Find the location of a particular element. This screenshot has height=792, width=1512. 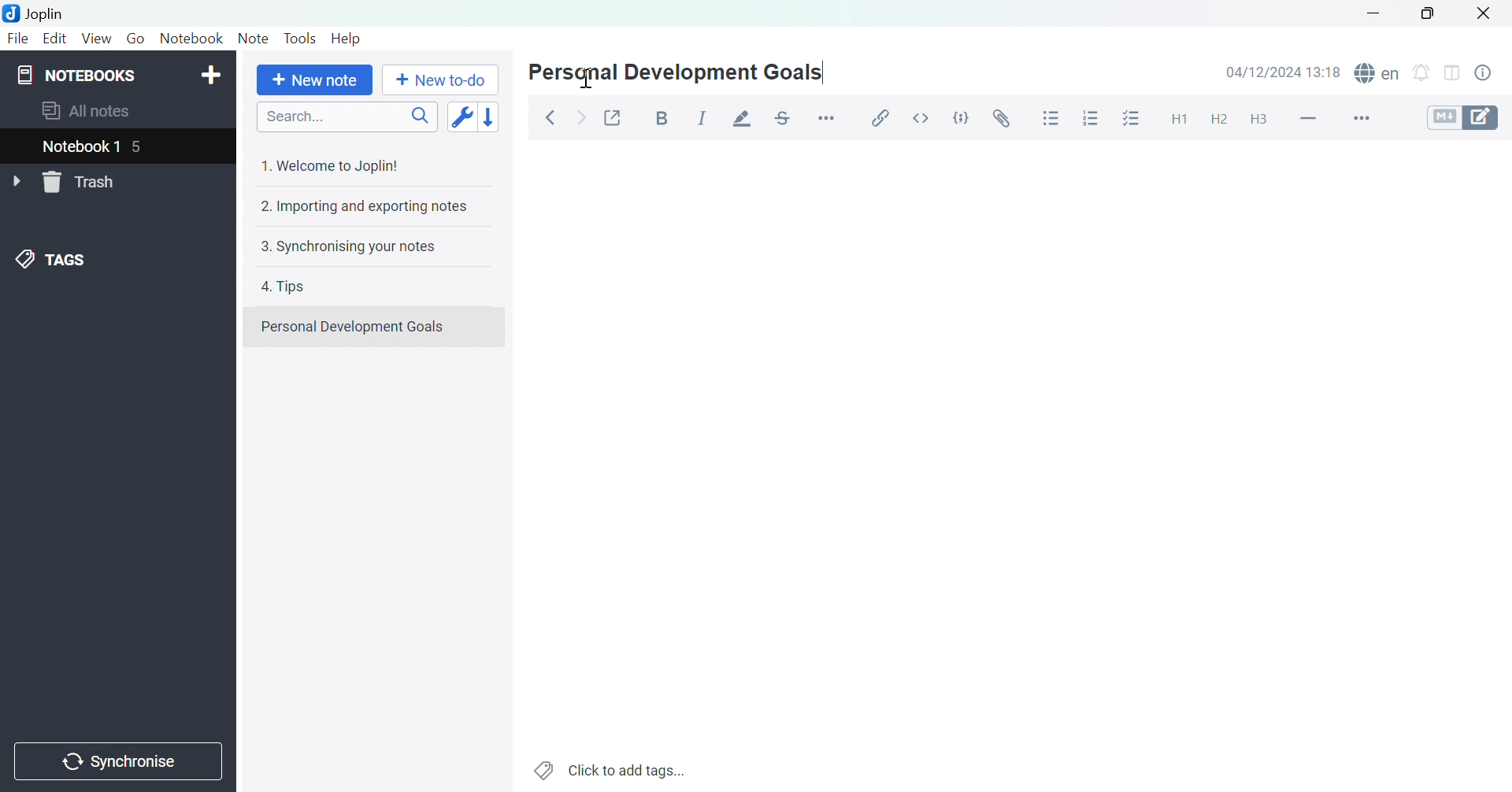

Tools is located at coordinates (302, 37).